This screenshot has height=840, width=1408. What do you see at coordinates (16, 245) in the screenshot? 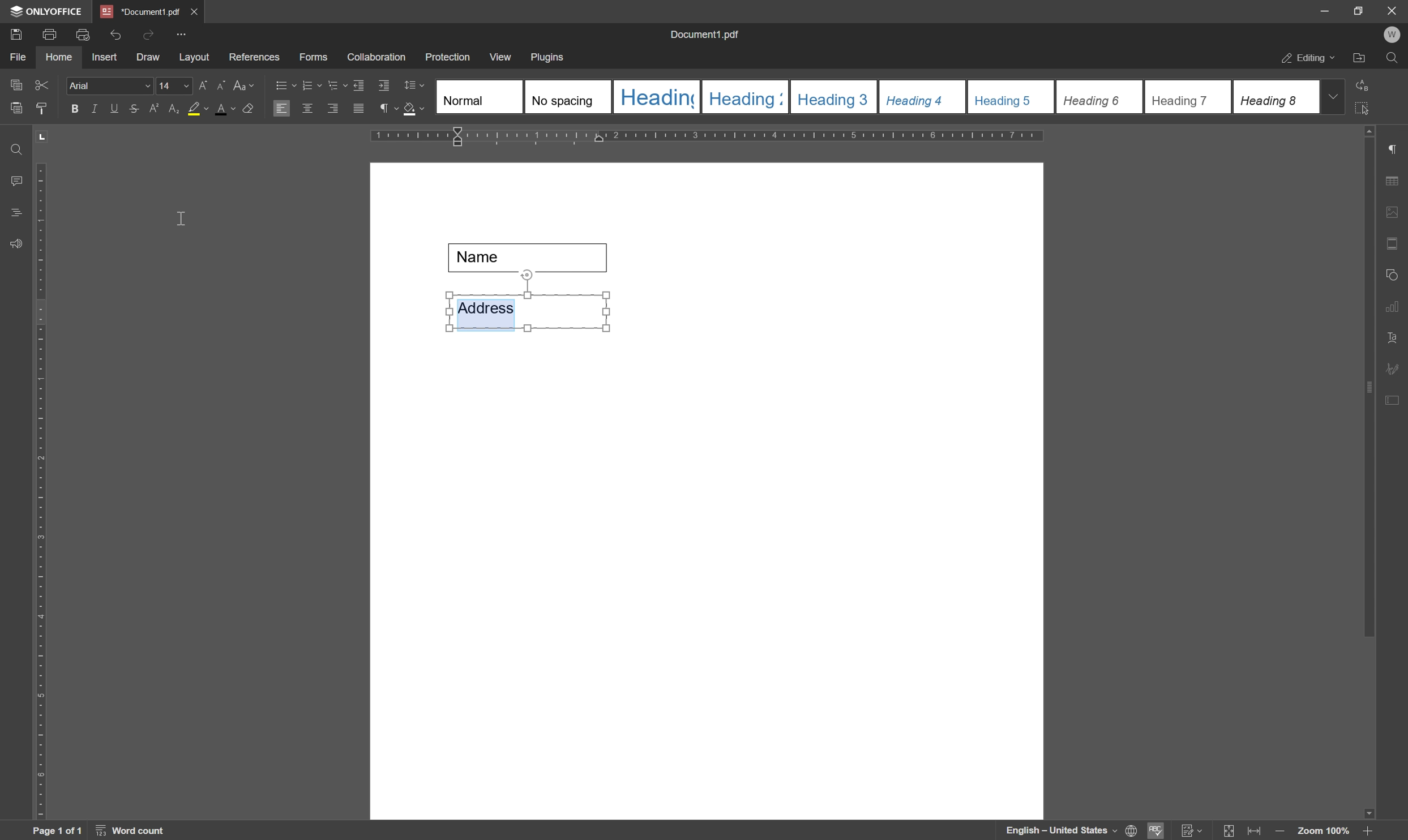
I see `feedback & support` at bounding box center [16, 245].